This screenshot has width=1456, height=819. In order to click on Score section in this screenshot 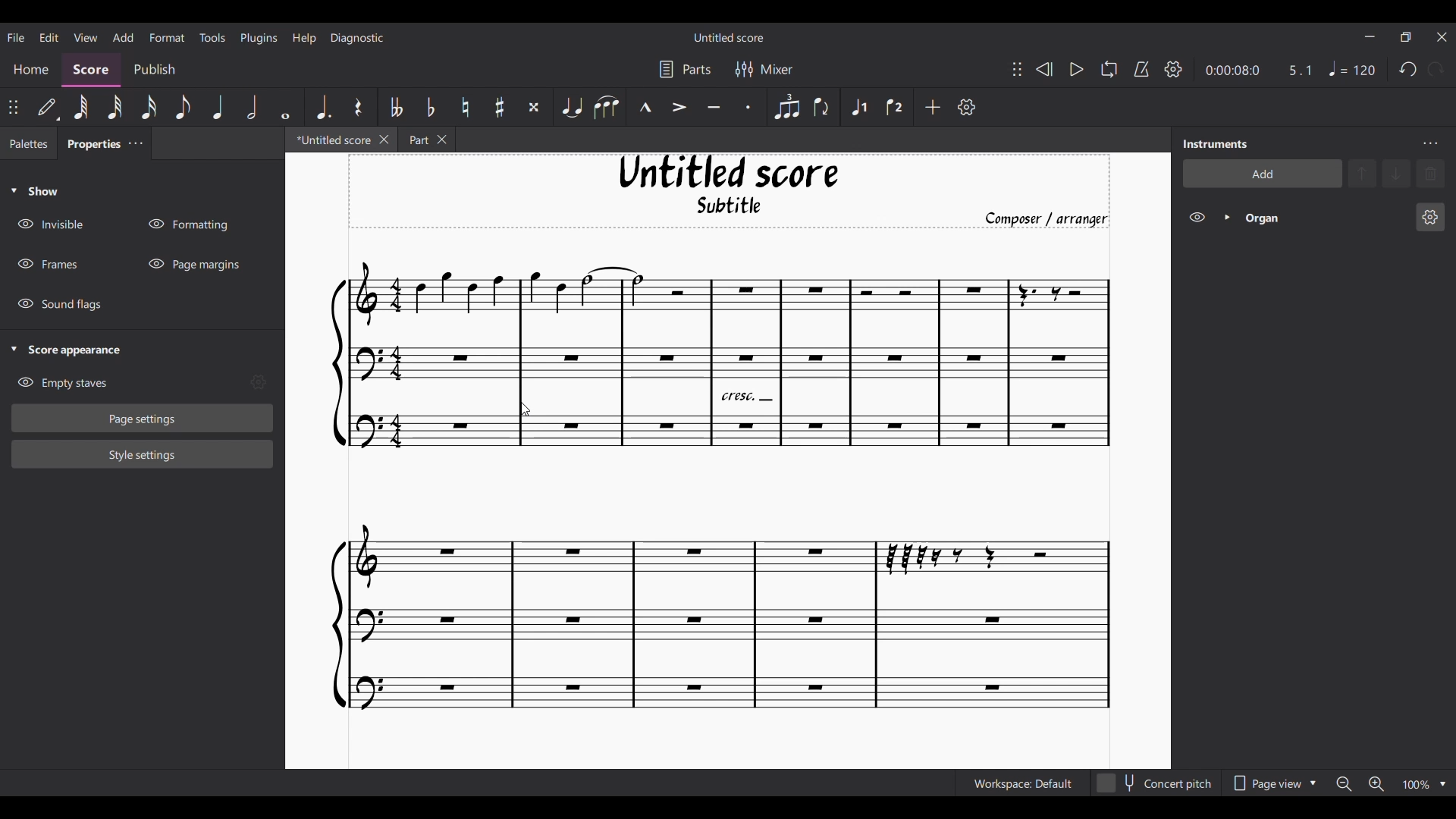, I will do `click(91, 68)`.